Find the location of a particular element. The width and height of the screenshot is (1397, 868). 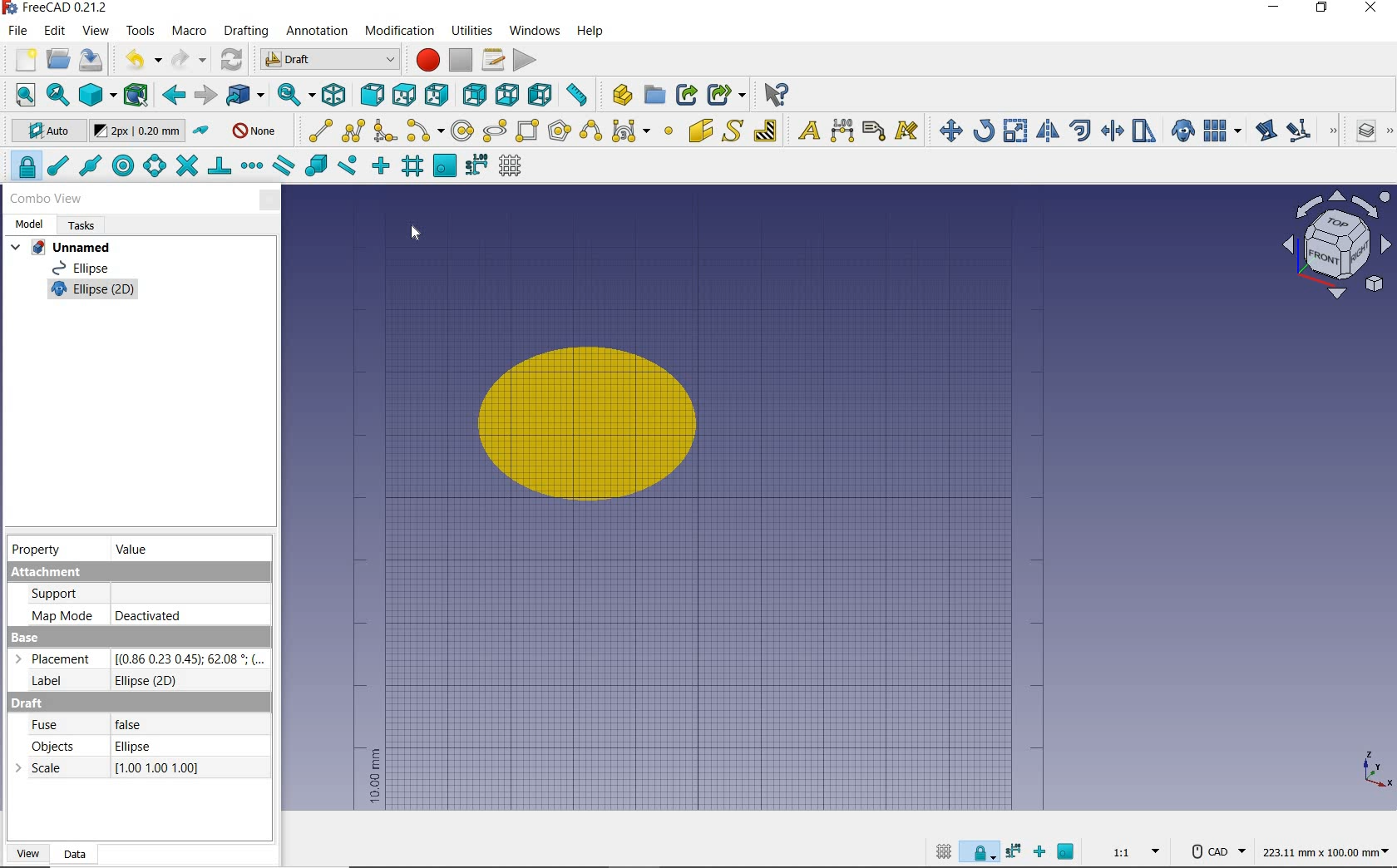

mirror is located at coordinates (1049, 130).